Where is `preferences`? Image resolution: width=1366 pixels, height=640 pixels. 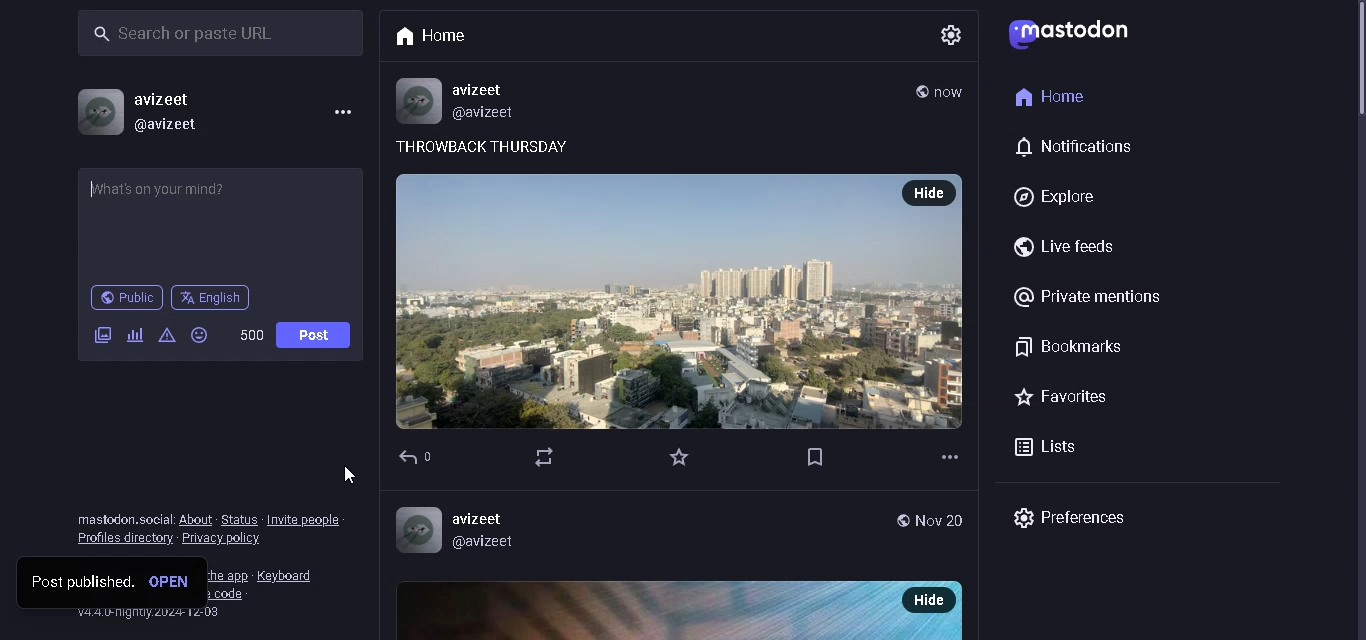
preferences is located at coordinates (1078, 515).